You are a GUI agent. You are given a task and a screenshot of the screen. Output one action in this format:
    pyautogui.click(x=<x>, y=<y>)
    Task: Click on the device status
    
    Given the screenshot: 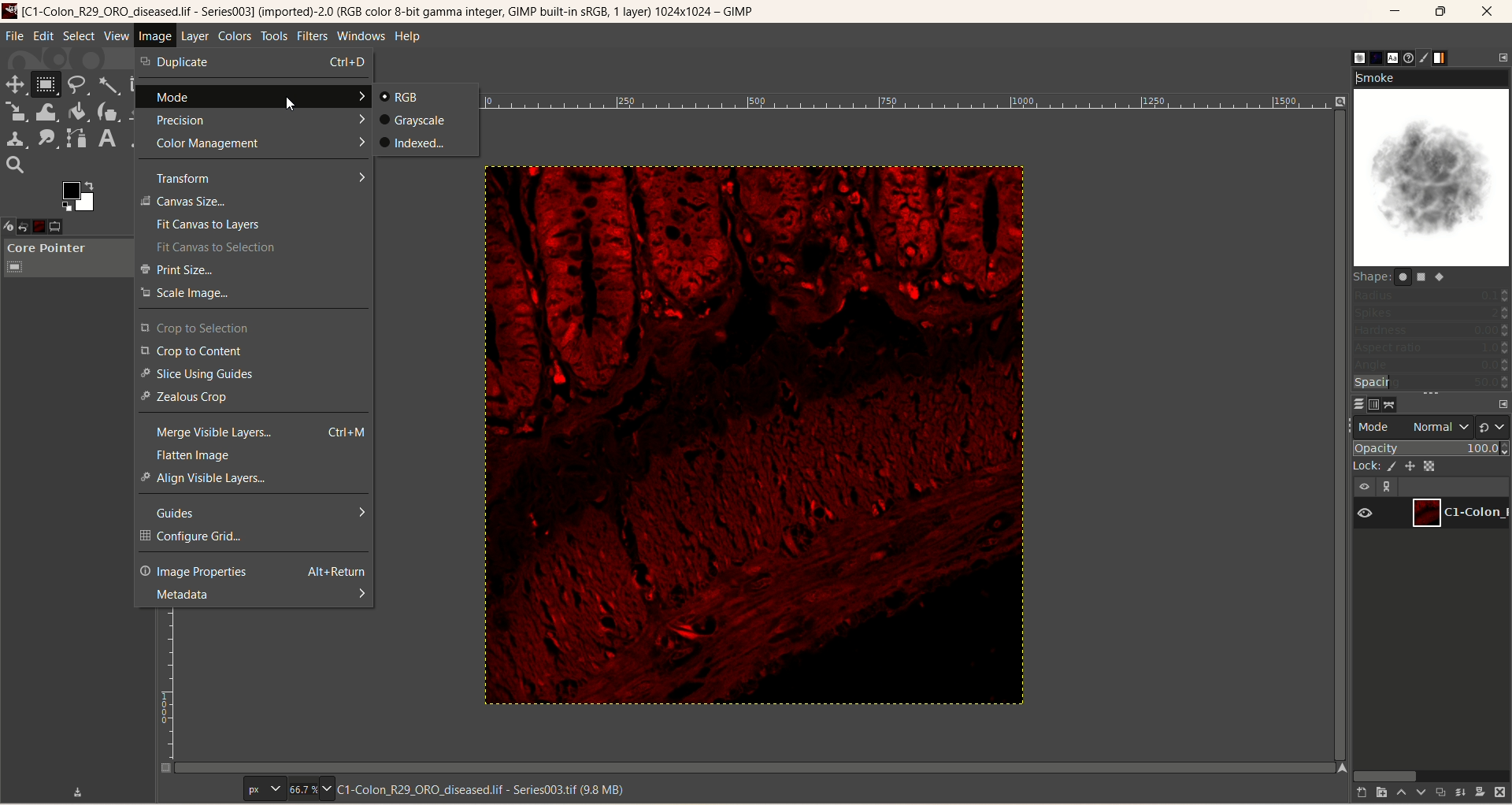 What is the action you would take?
    pyautogui.click(x=9, y=227)
    